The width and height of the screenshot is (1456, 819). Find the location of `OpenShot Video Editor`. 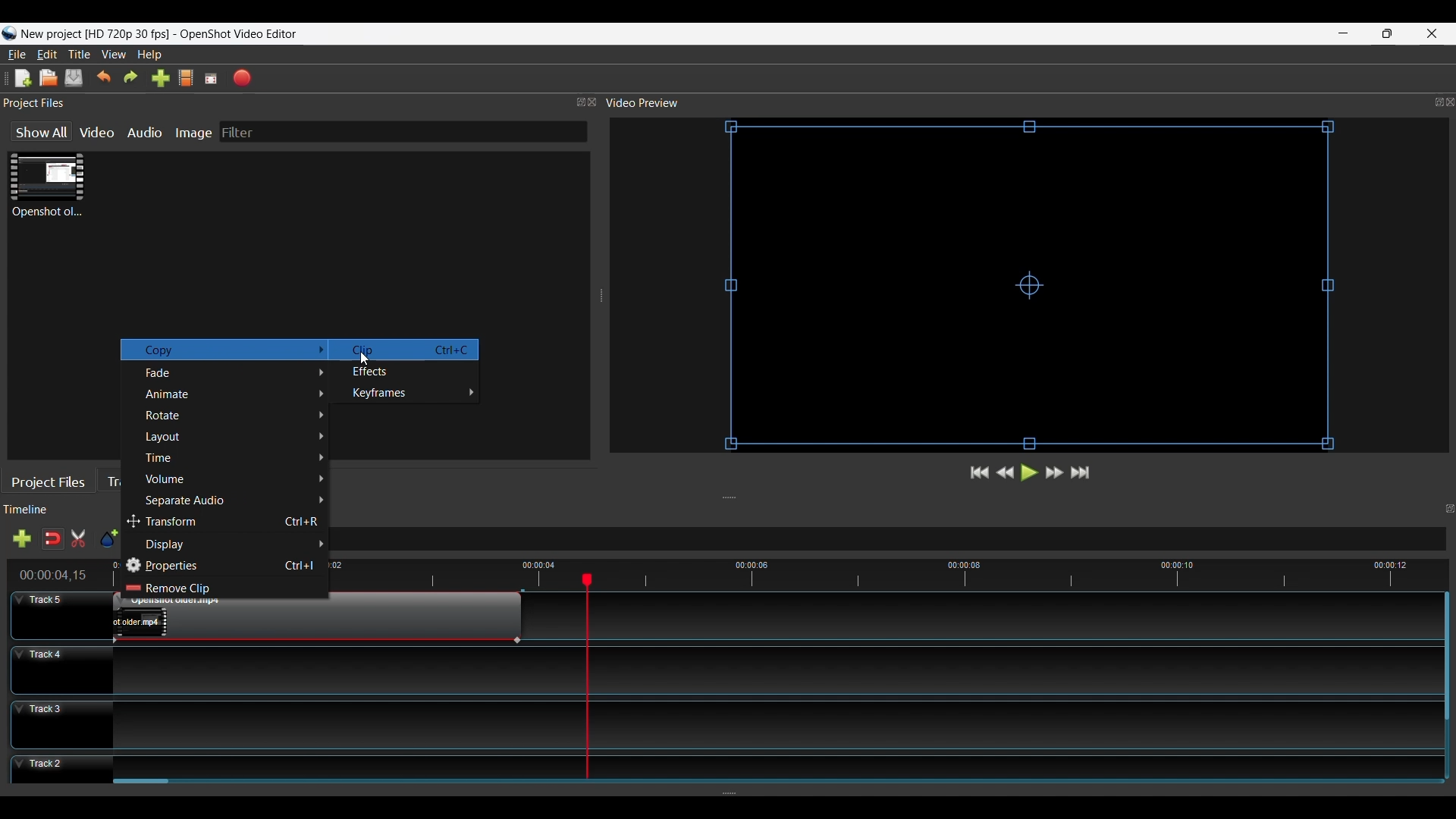

OpenShot Video Editor is located at coordinates (245, 35).